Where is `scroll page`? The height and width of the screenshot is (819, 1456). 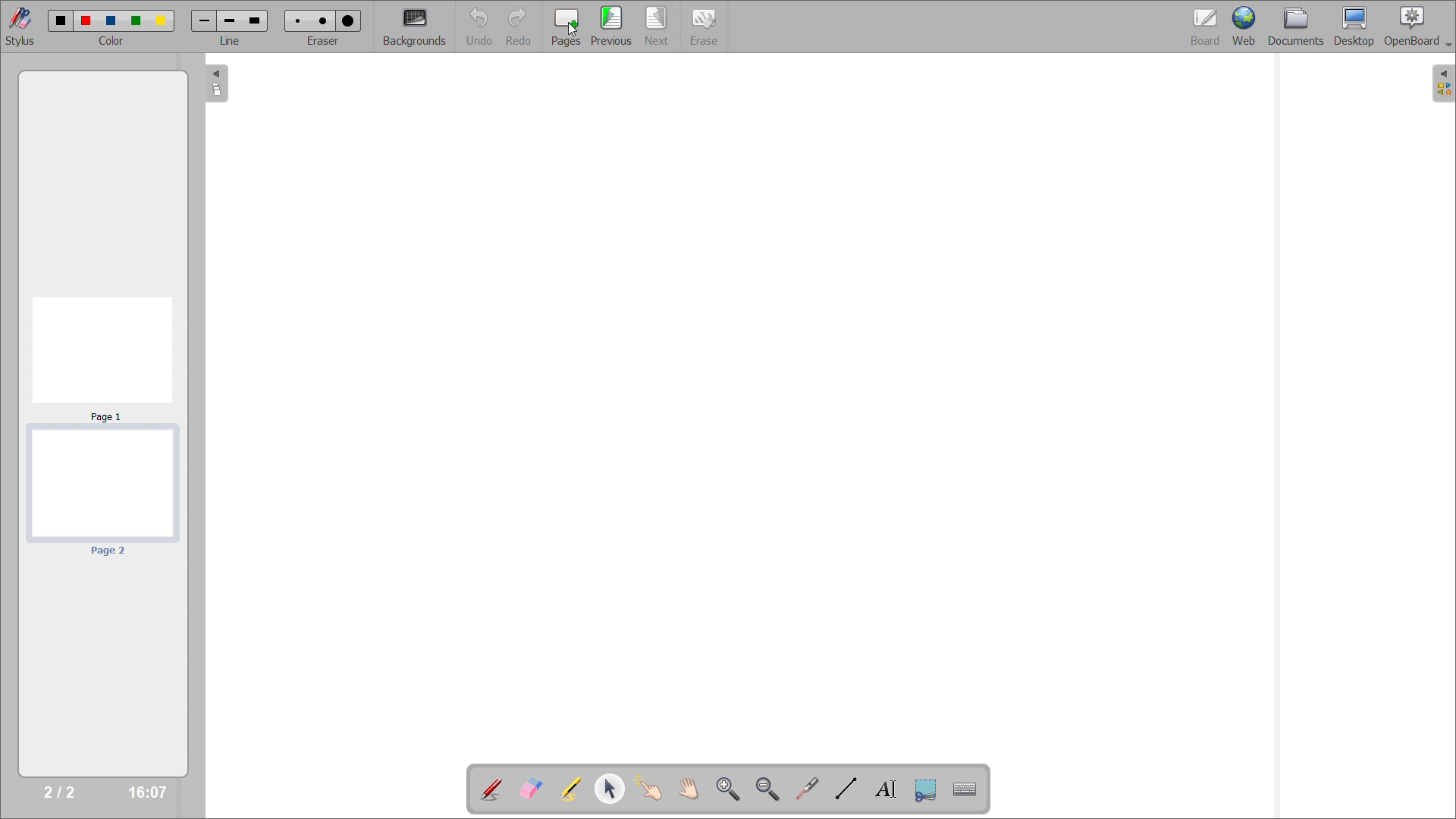
scroll page is located at coordinates (689, 788).